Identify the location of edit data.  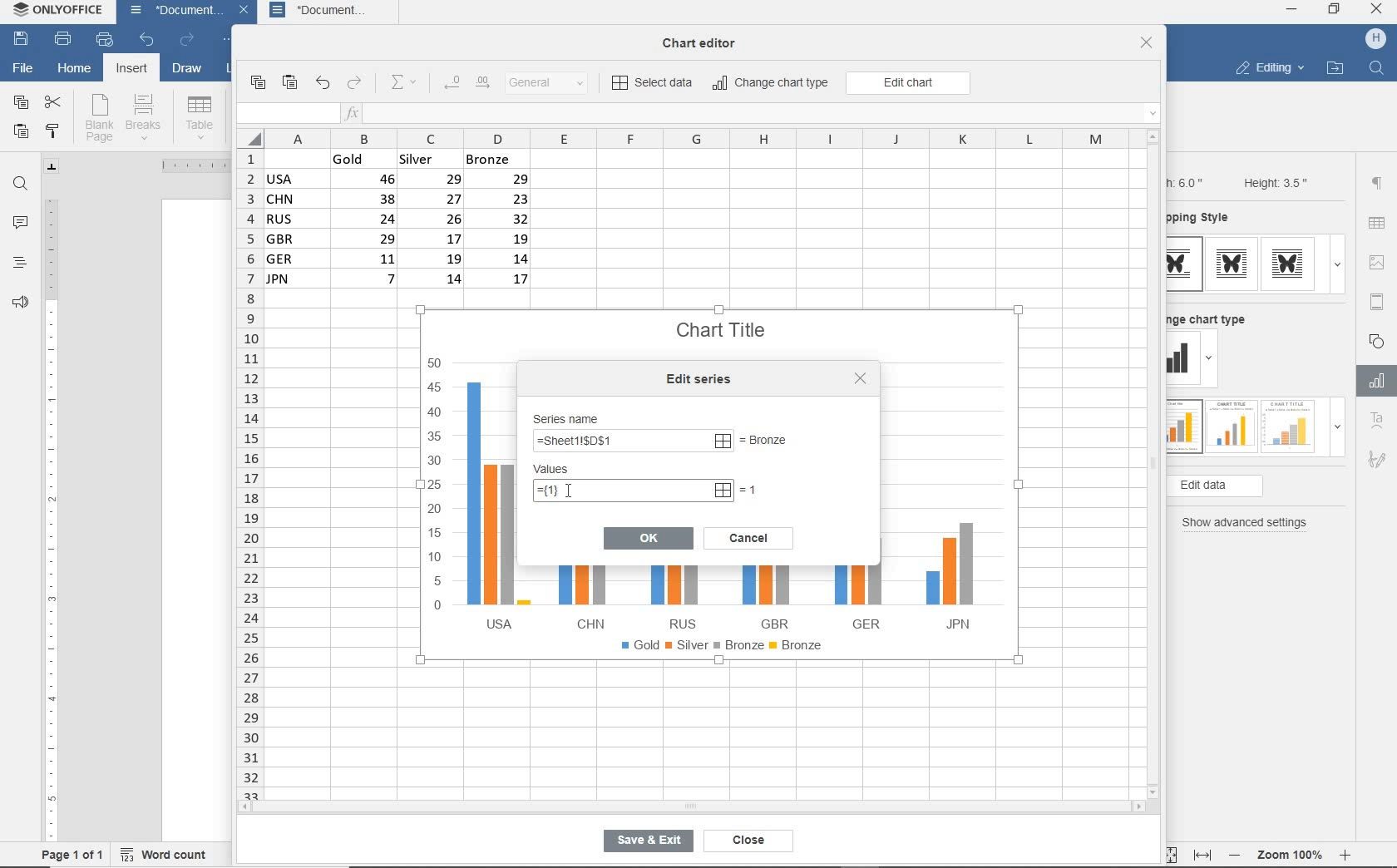
(1242, 486).